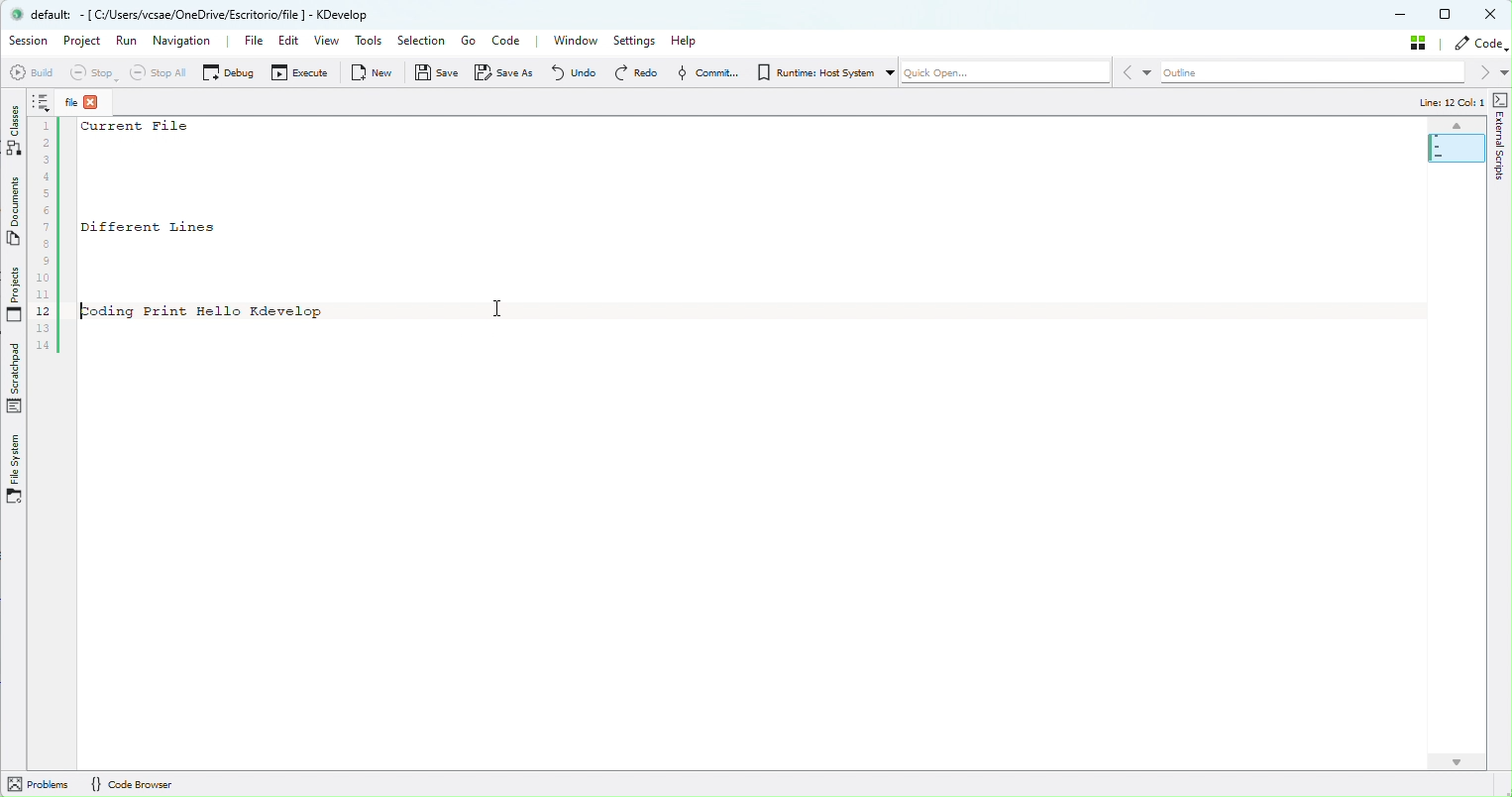 Image resolution: width=1512 pixels, height=797 pixels. I want to click on New, so click(371, 74).